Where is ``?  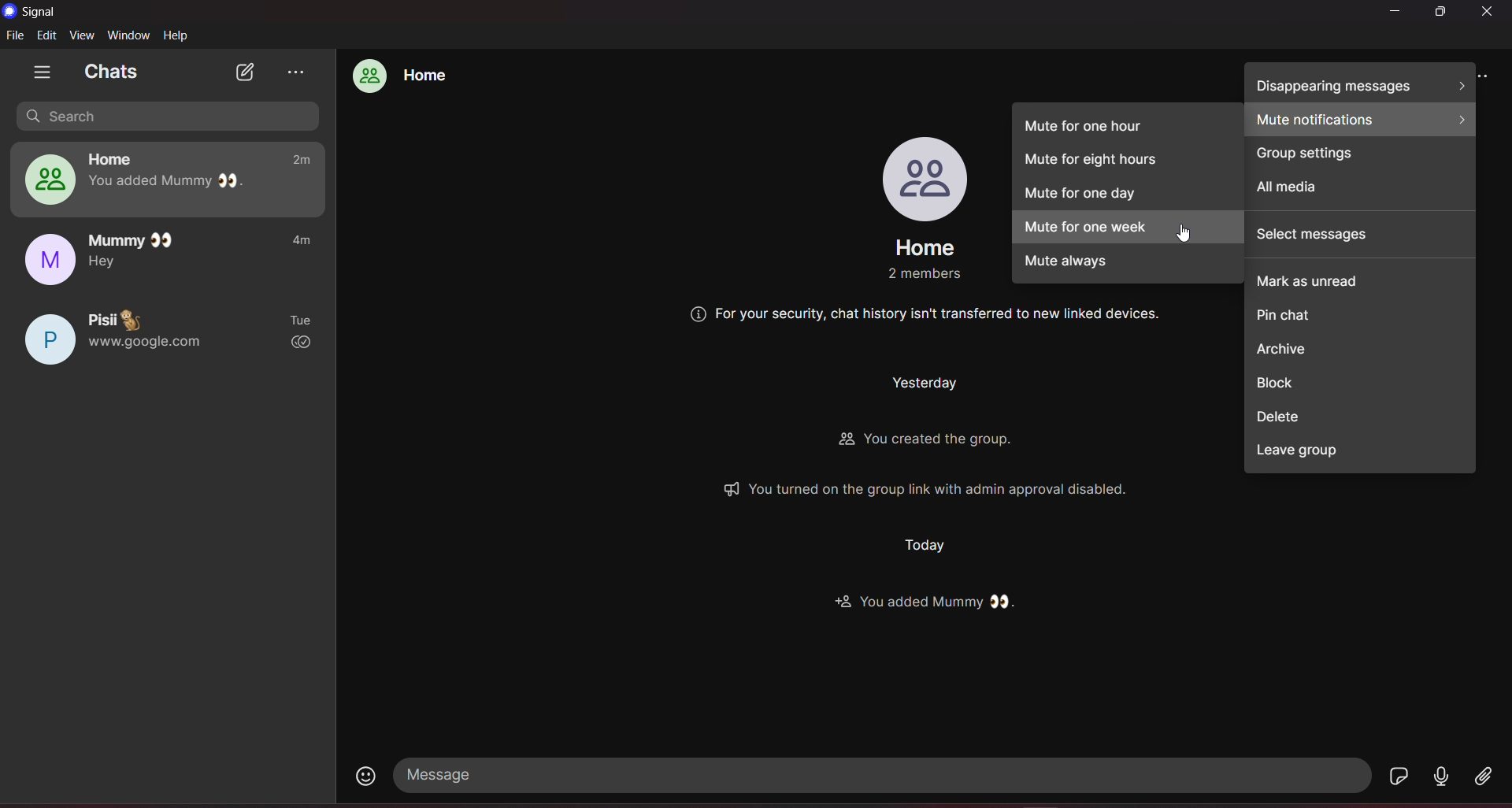  is located at coordinates (930, 444).